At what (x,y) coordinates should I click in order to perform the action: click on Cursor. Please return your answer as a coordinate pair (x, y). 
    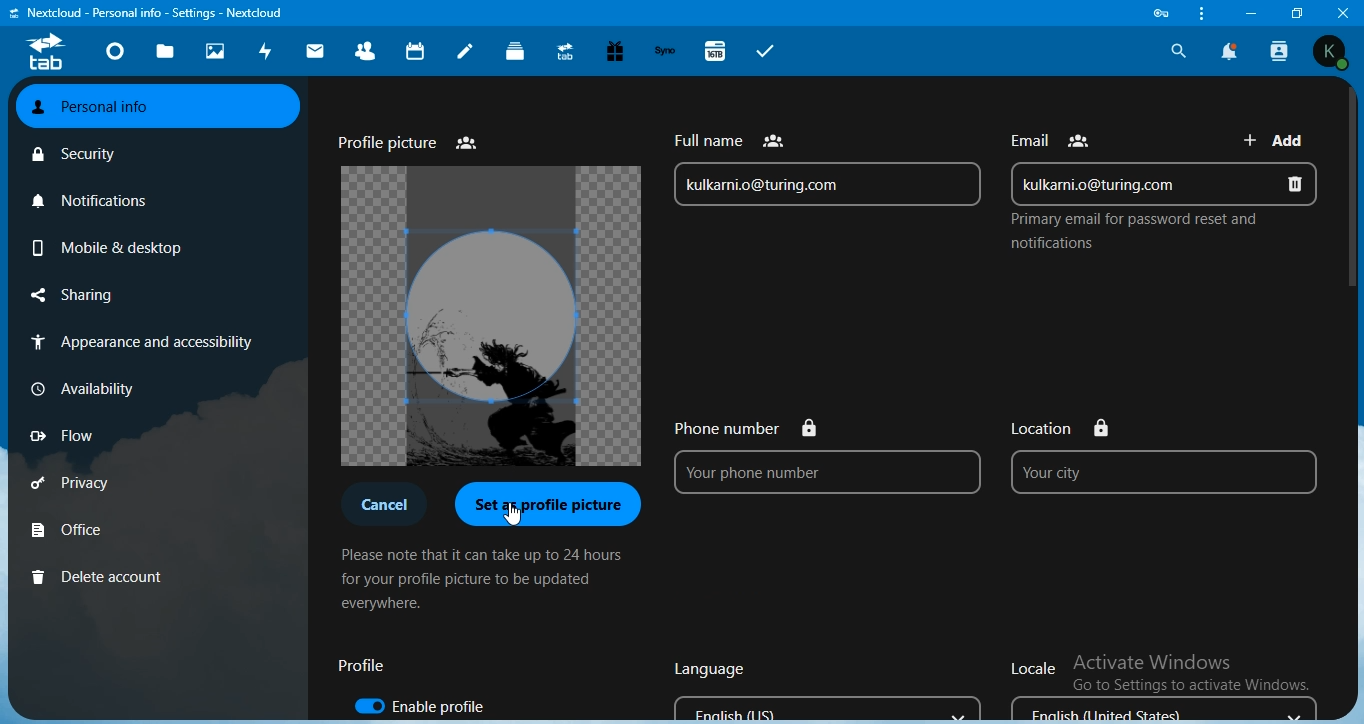
    Looking at the image, I should click on (512, 514).